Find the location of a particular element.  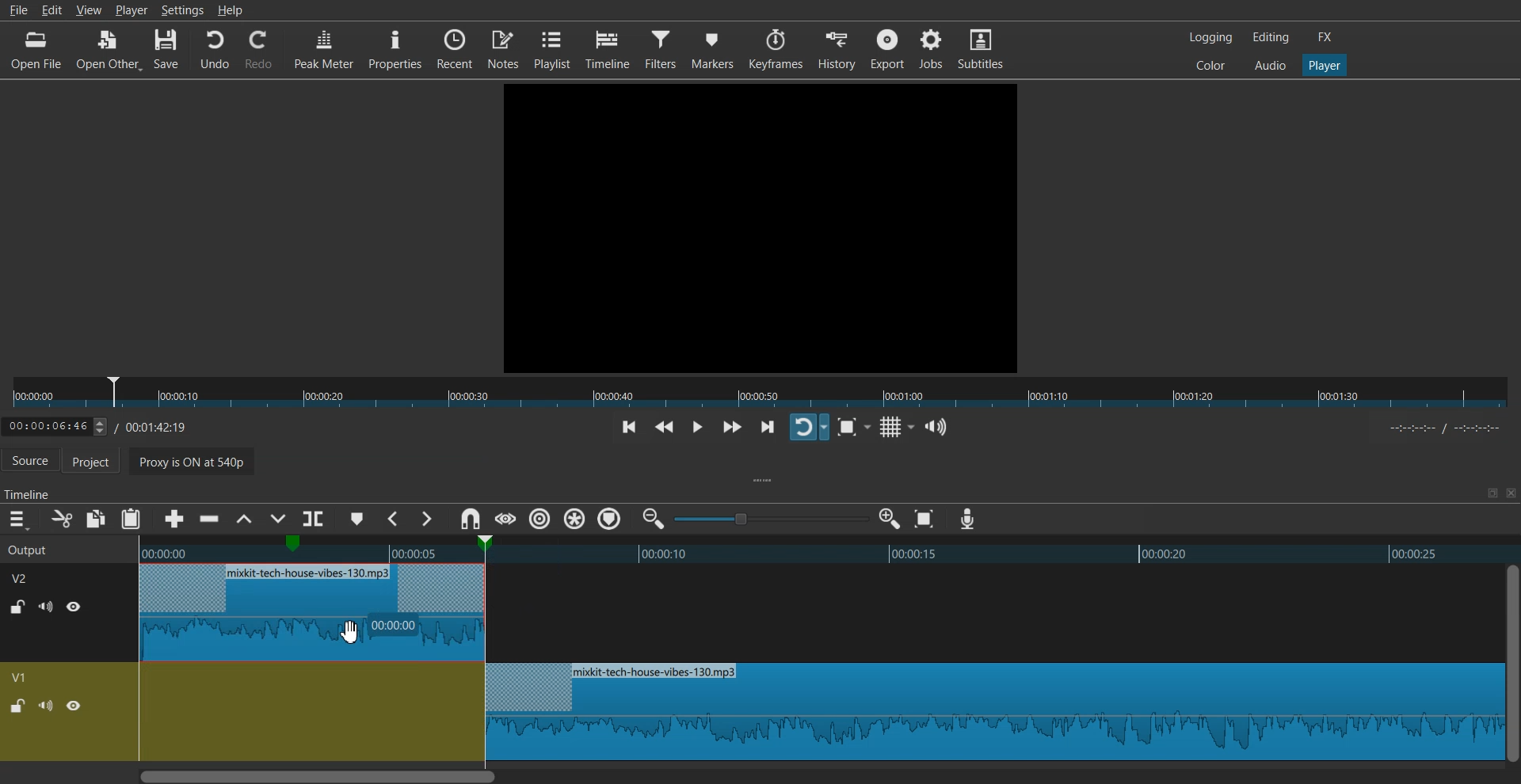

Timeline is located at coordinates (108, 424).